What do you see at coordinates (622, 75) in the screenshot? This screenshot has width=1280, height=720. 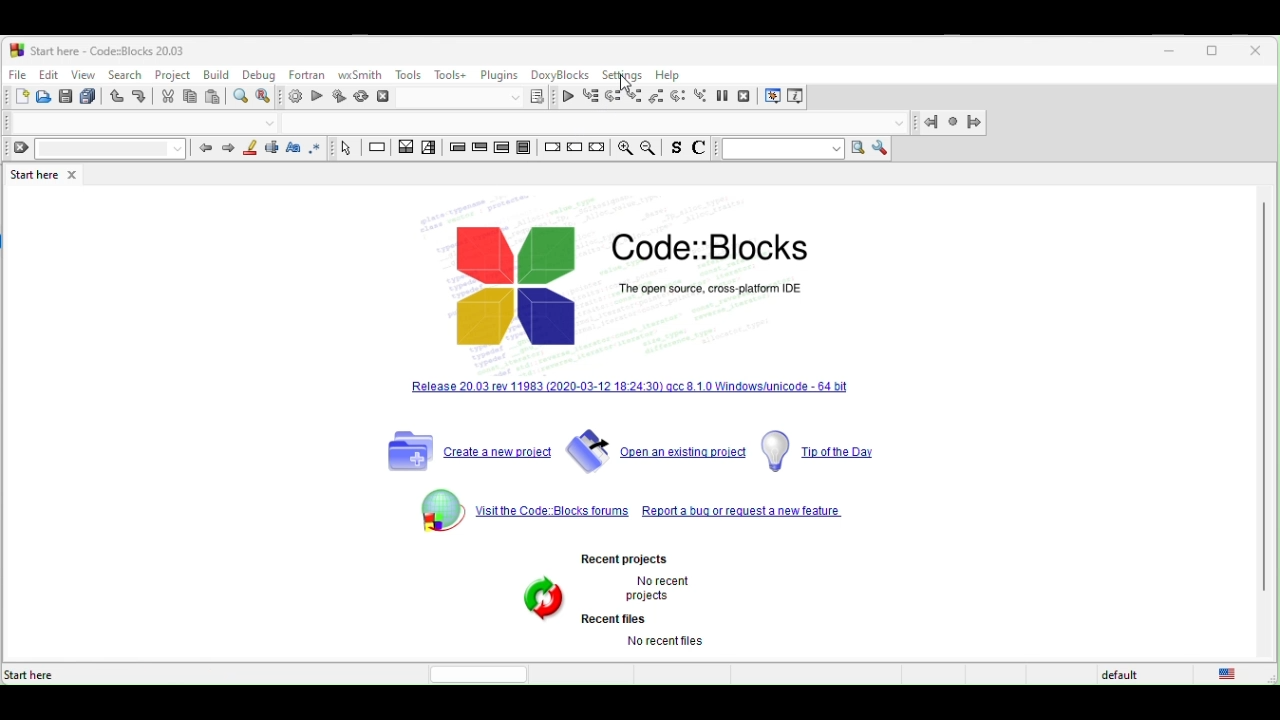 I see `setting` at bounding box center [622, 75].